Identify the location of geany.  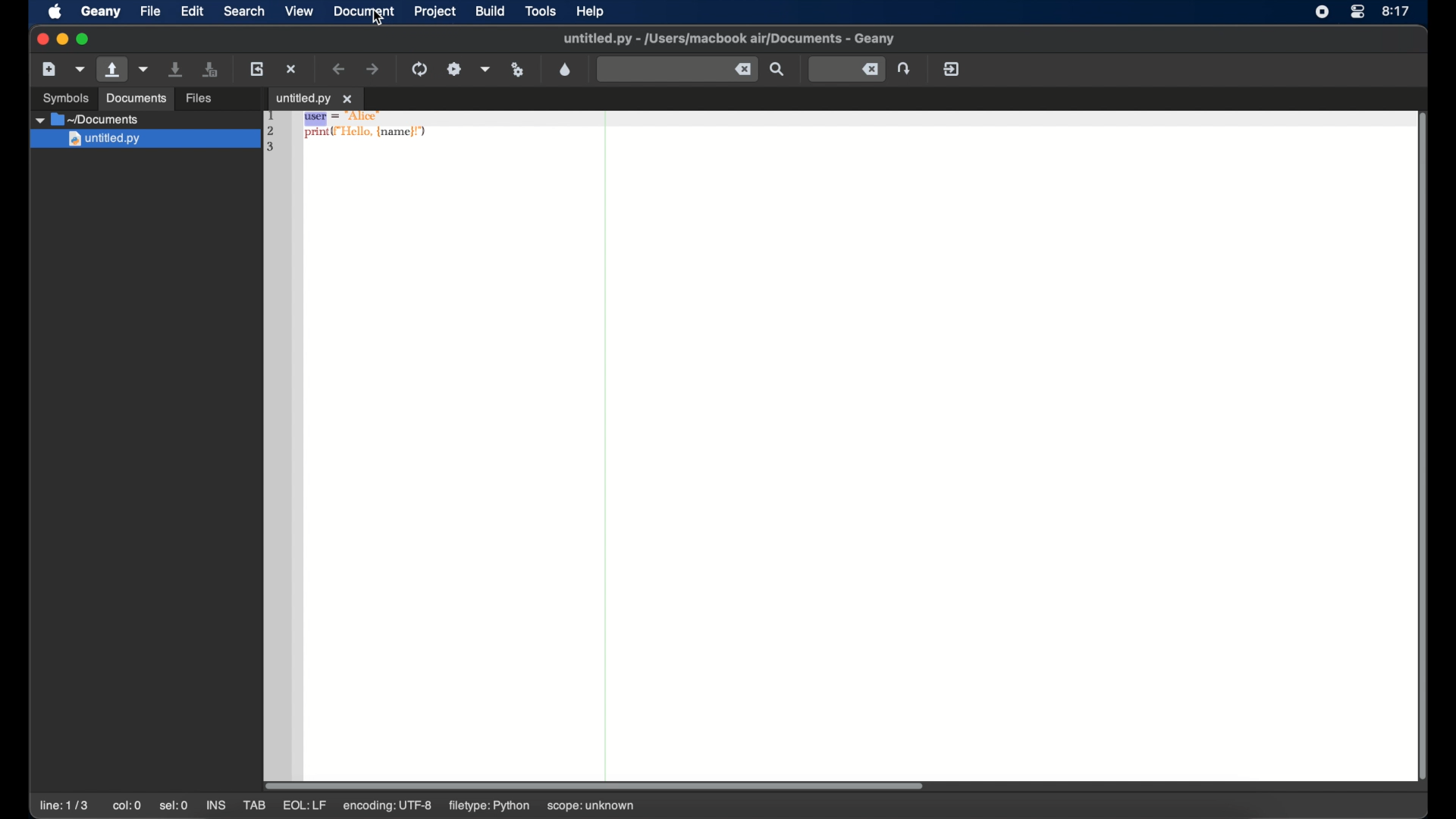
(101, 11).